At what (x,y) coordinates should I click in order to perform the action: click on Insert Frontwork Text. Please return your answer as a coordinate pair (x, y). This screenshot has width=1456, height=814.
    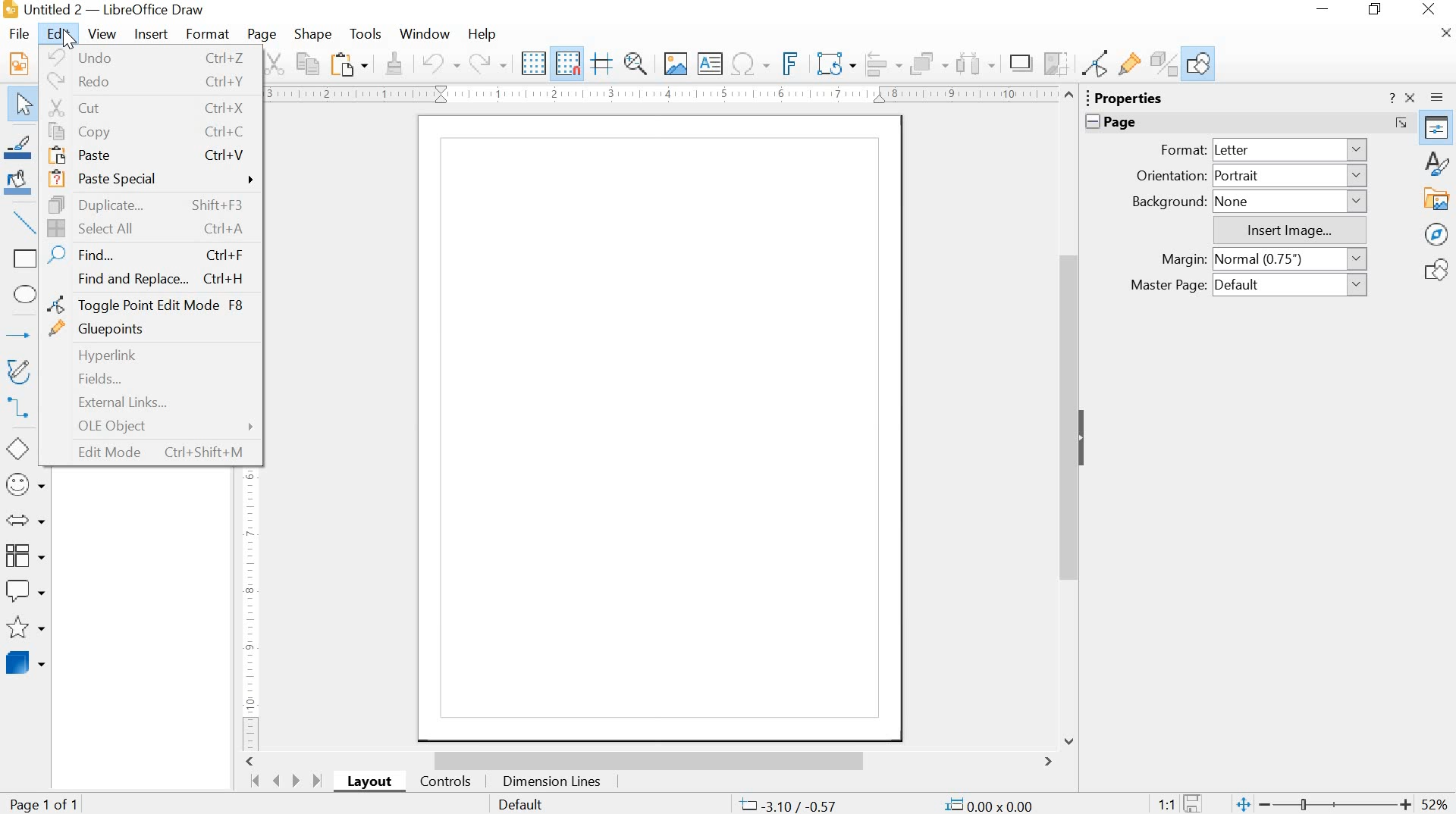
    Looking at the image, I should click on (787, 62).